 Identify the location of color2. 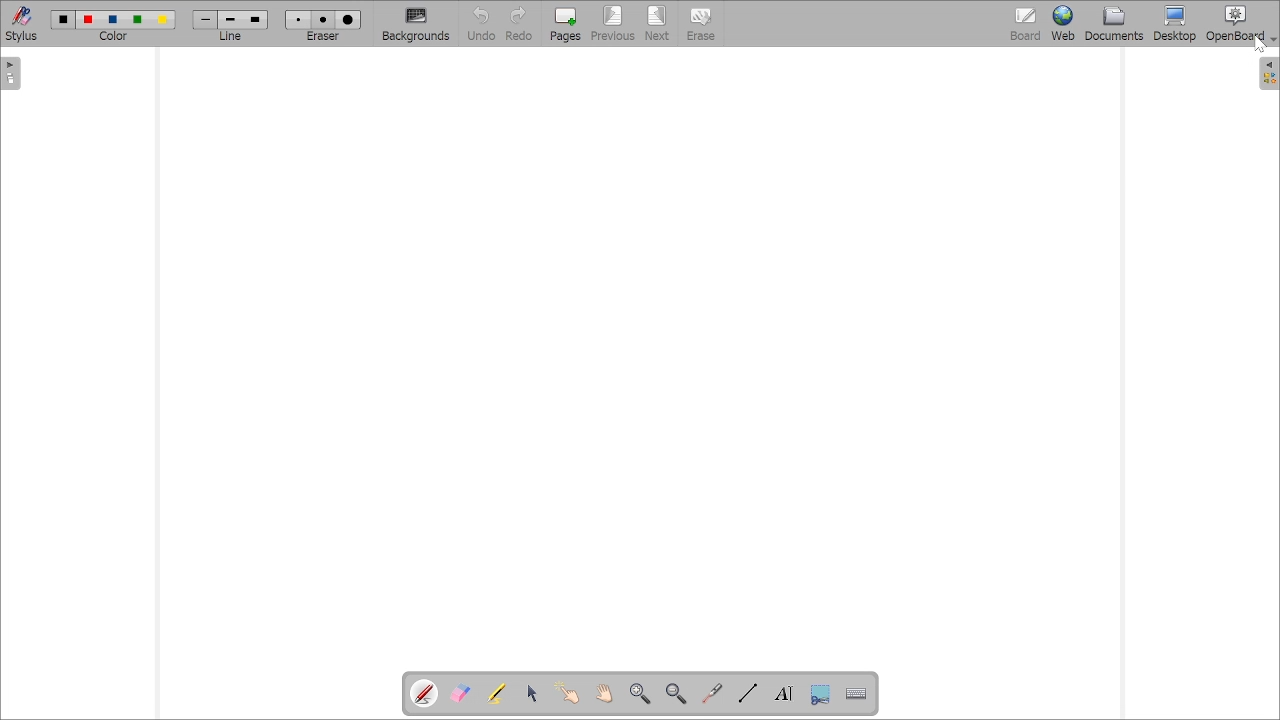
(88, 19).